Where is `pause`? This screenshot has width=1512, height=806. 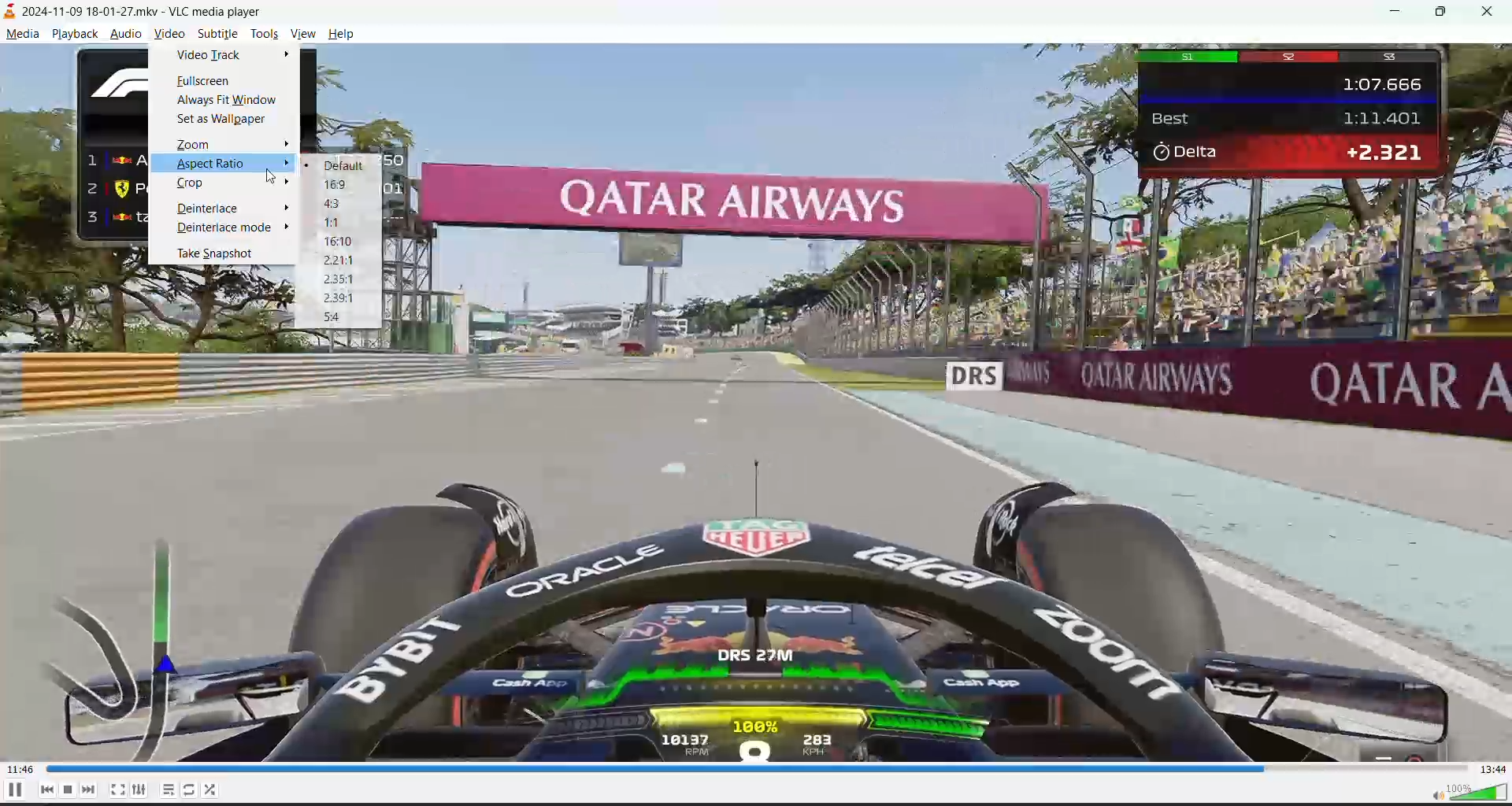 pause is located at coordinates (18, 791).